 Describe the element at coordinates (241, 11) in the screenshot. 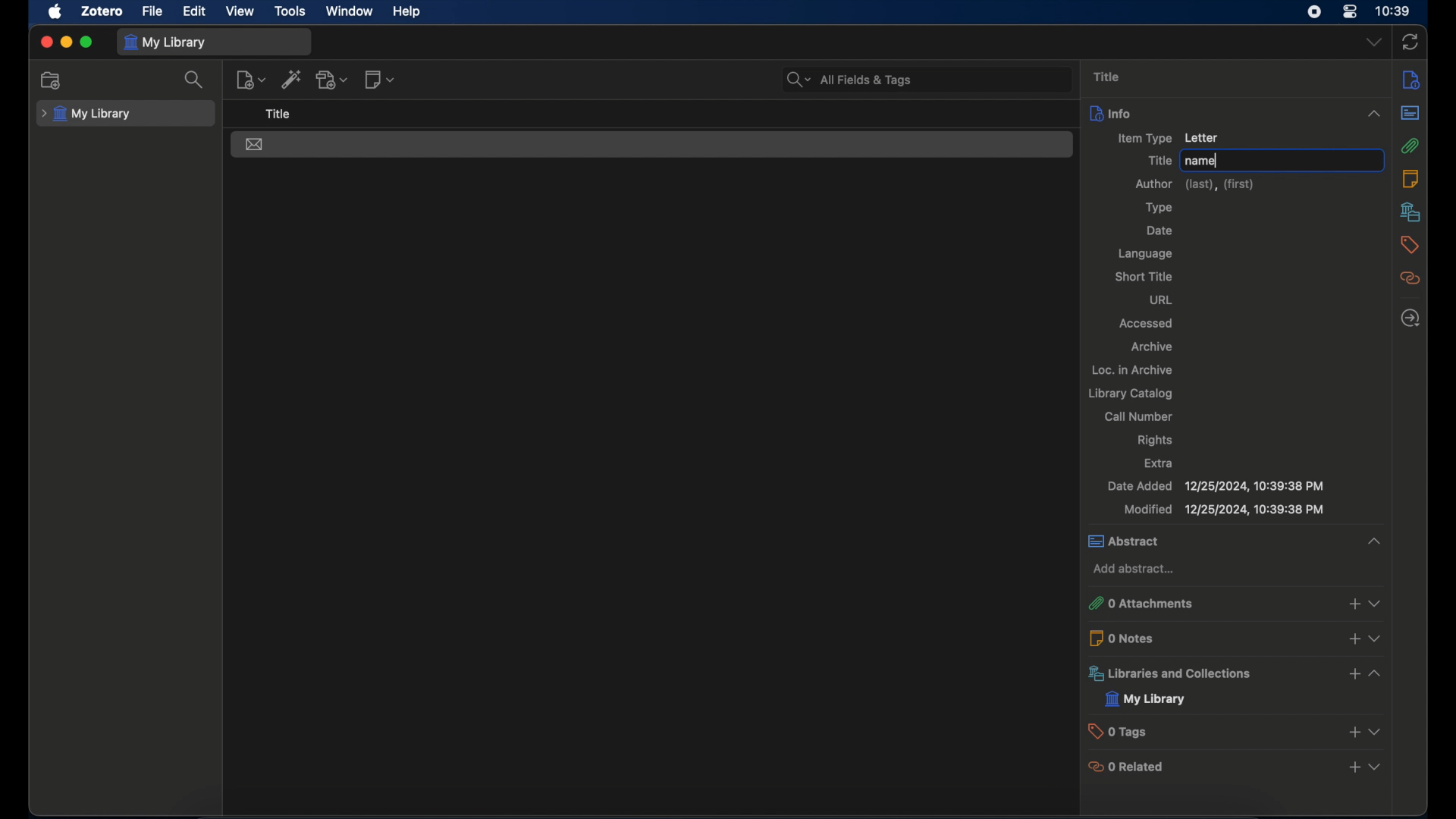

I see `view` at that location.